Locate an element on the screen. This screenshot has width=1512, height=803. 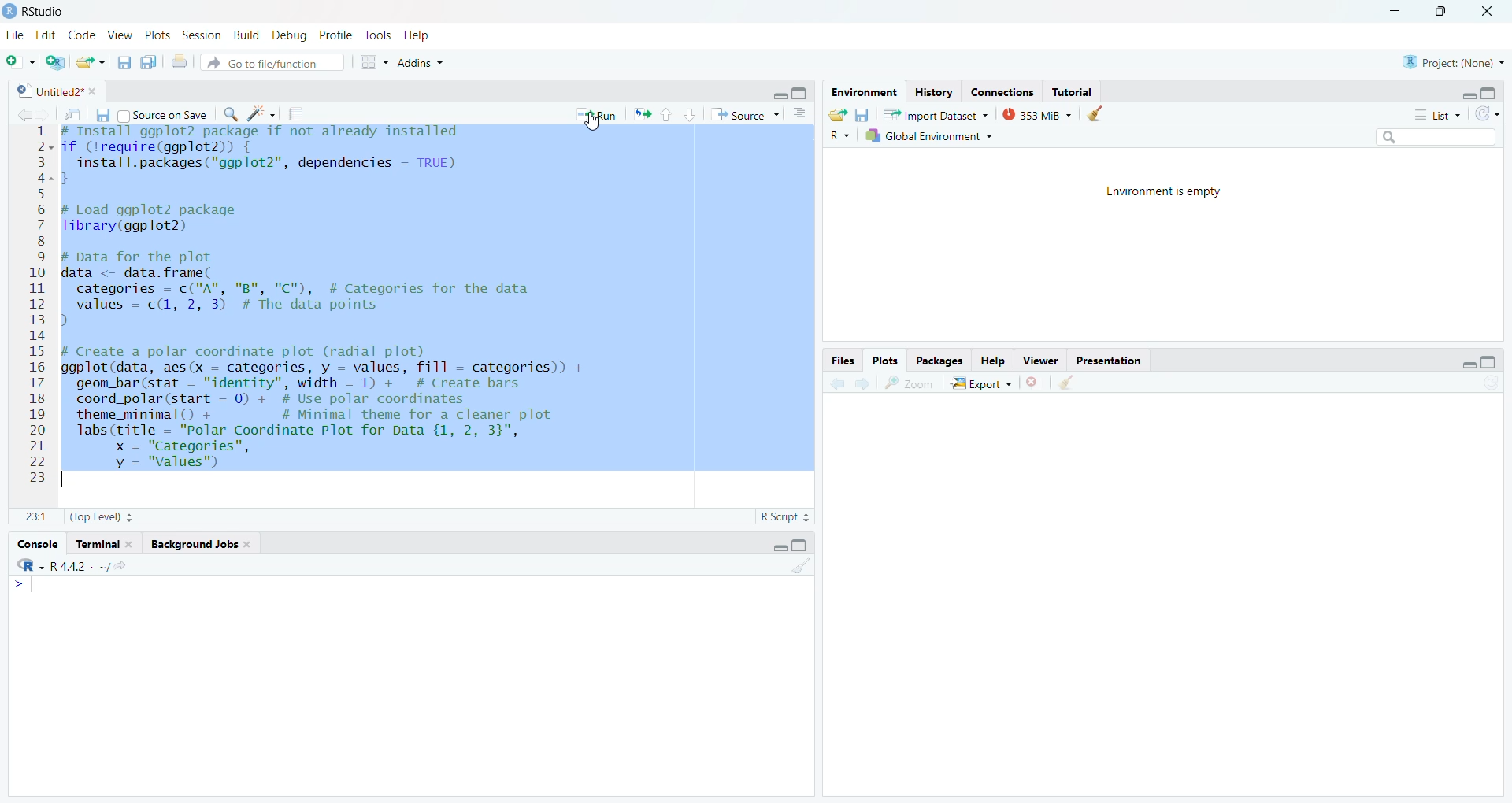
 Debug is located at coordinates (287, 36).